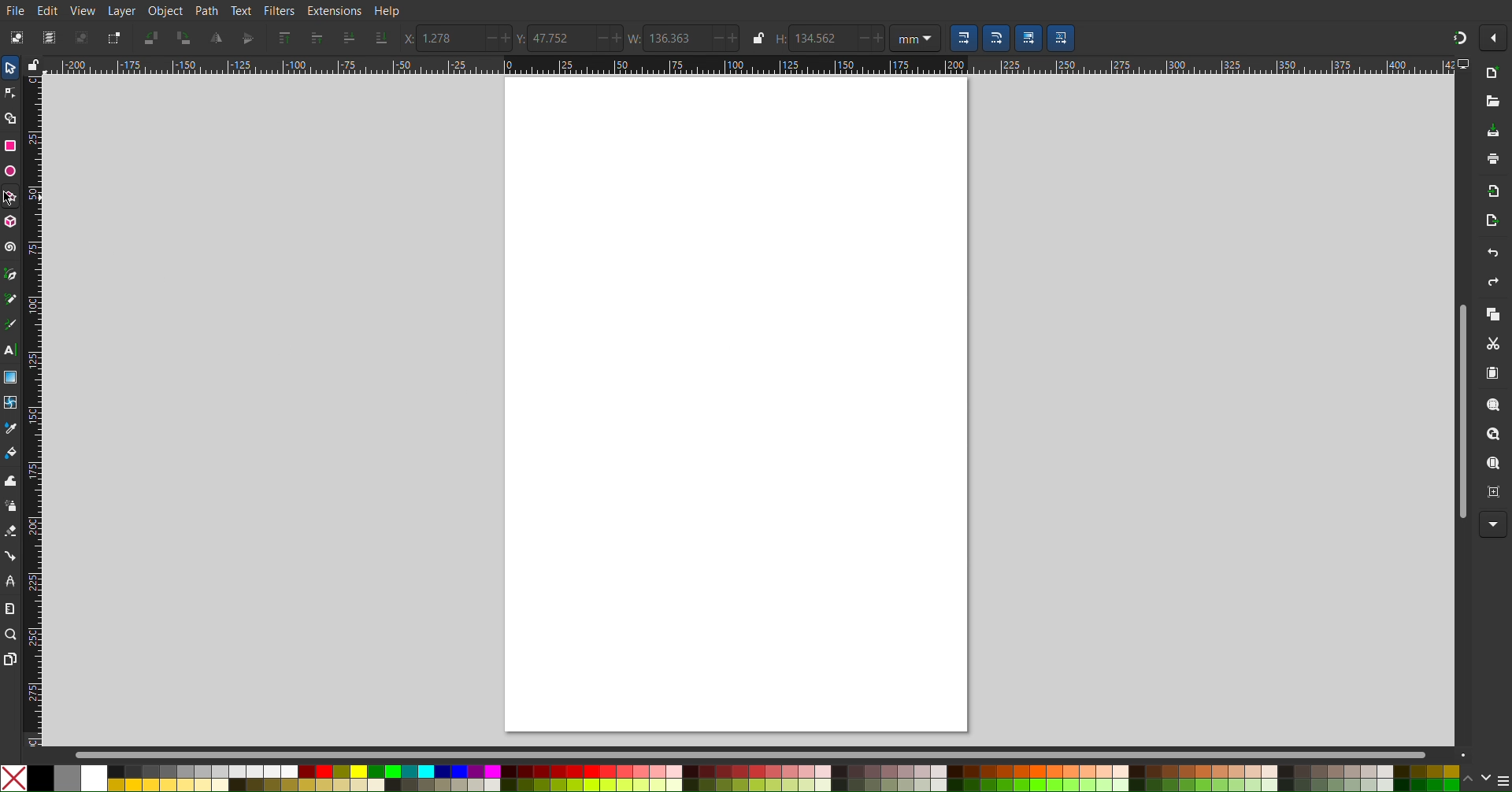 The height and width of the screenshot is (792, 1512). Describe the element at coordinates (9, 170) in the screenshot. I see `Ellipse` at that location.